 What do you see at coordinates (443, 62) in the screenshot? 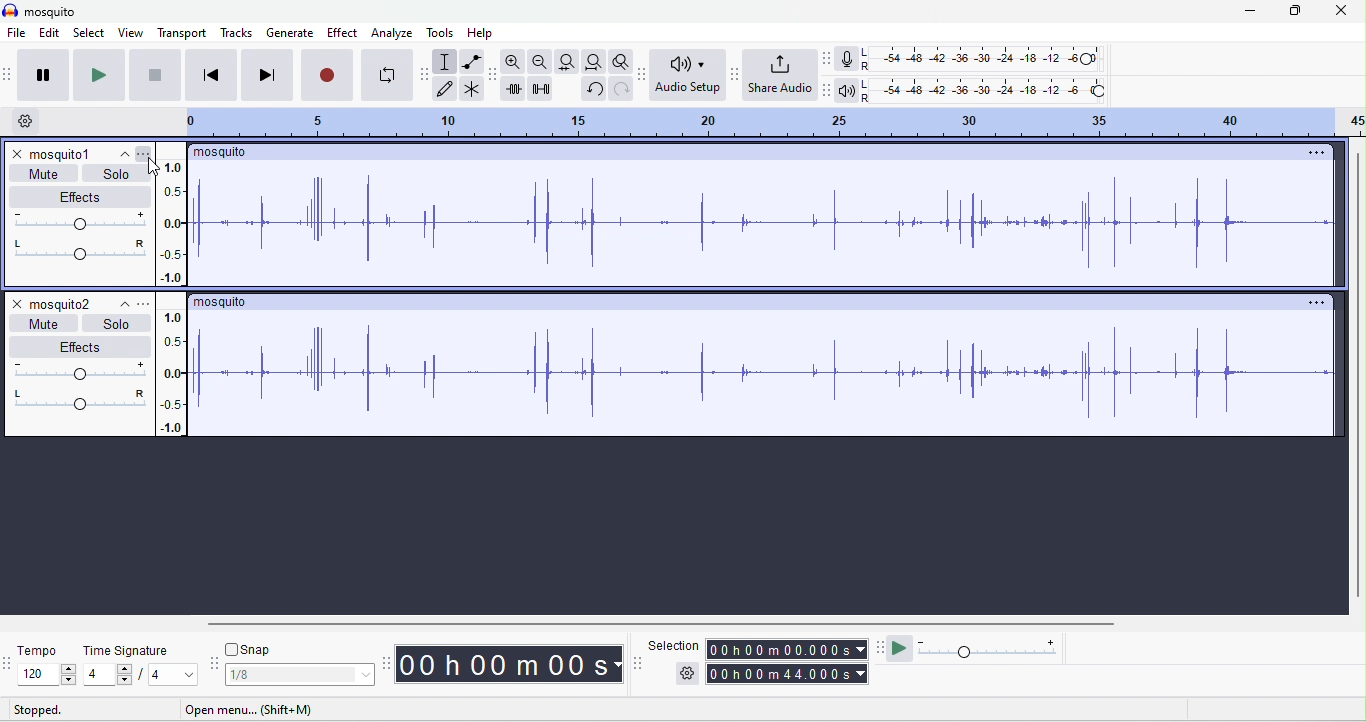
I see `selection` at bounding box center [443, 62].